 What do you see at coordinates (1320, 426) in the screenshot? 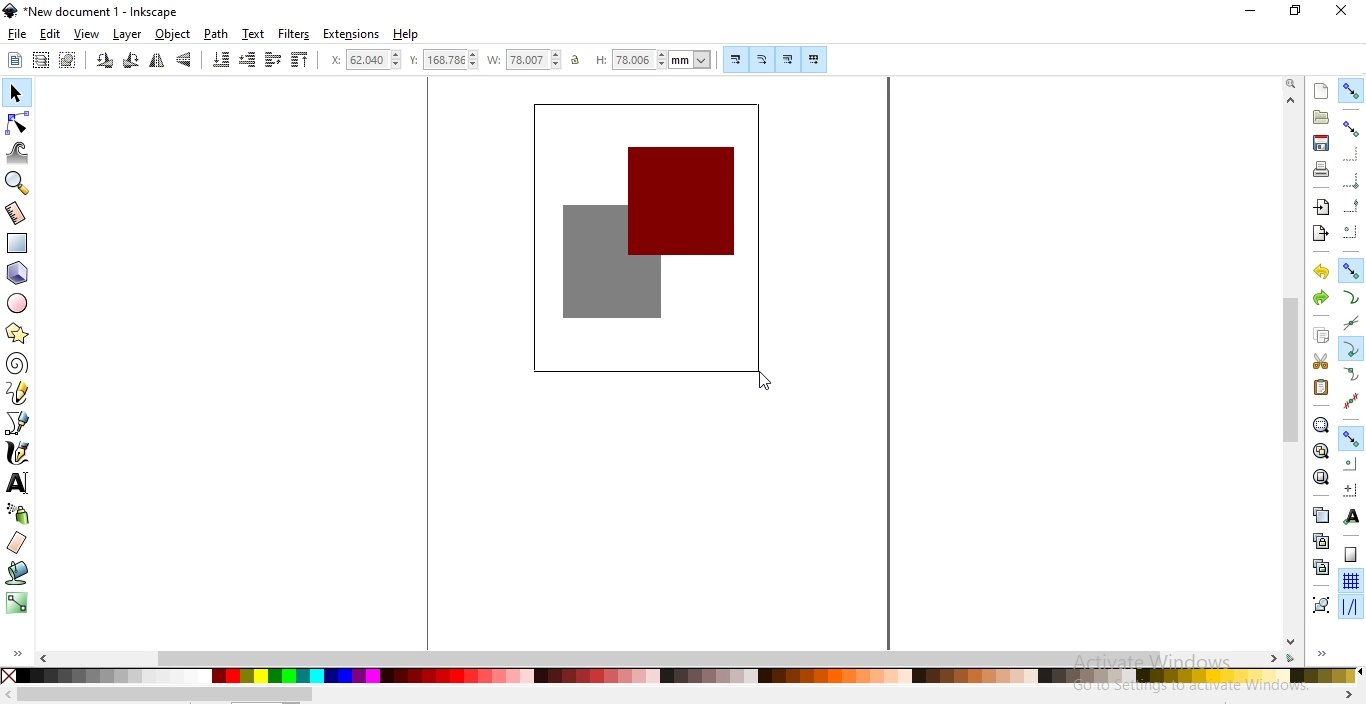
I see `zoom to fit selection` at bounding box center [1320, 426].